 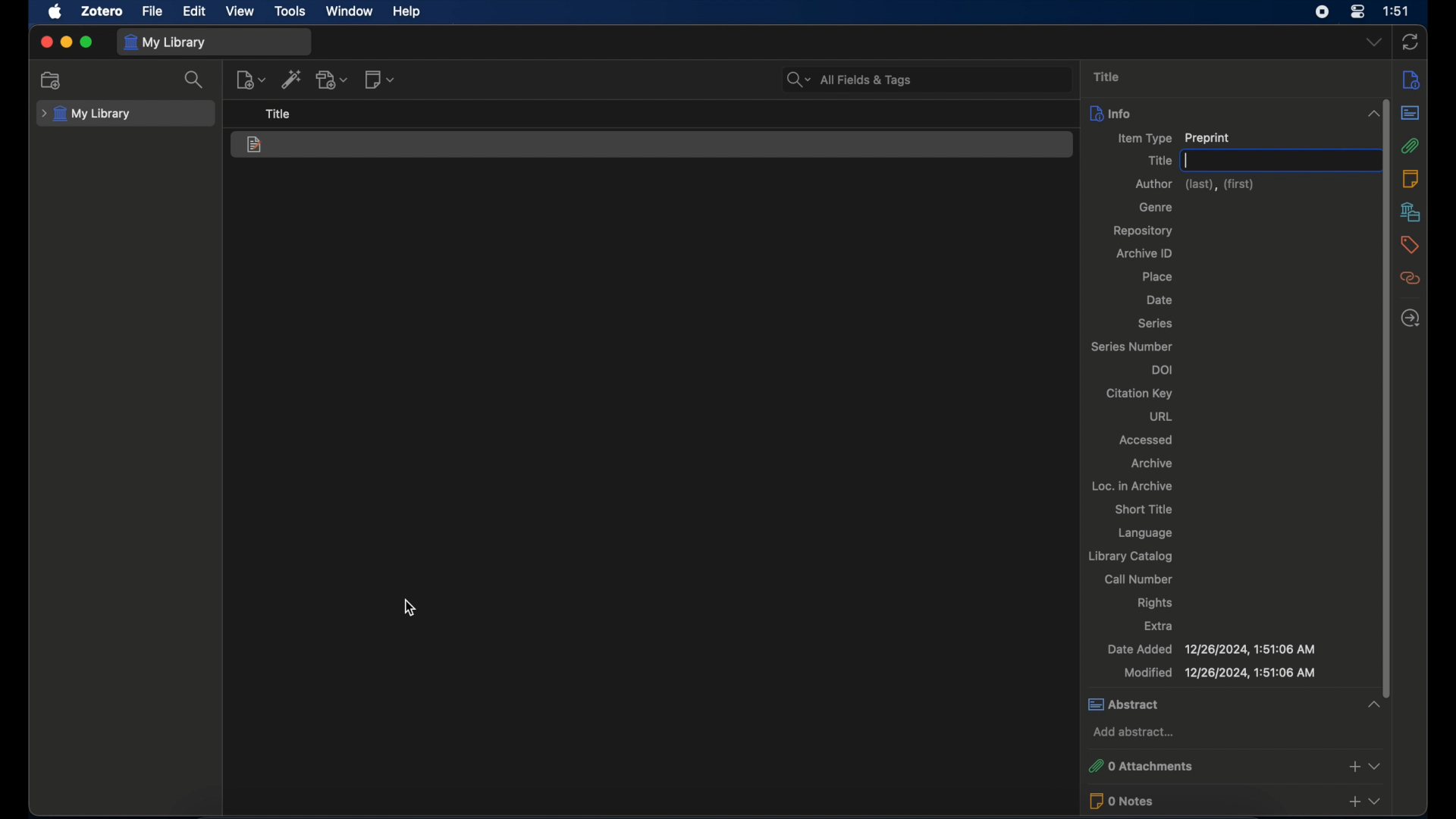 What do you see at coordinates (1321, 12) in the screenshot?
I see `screen  recorder` at bounding box center [1321, 12].